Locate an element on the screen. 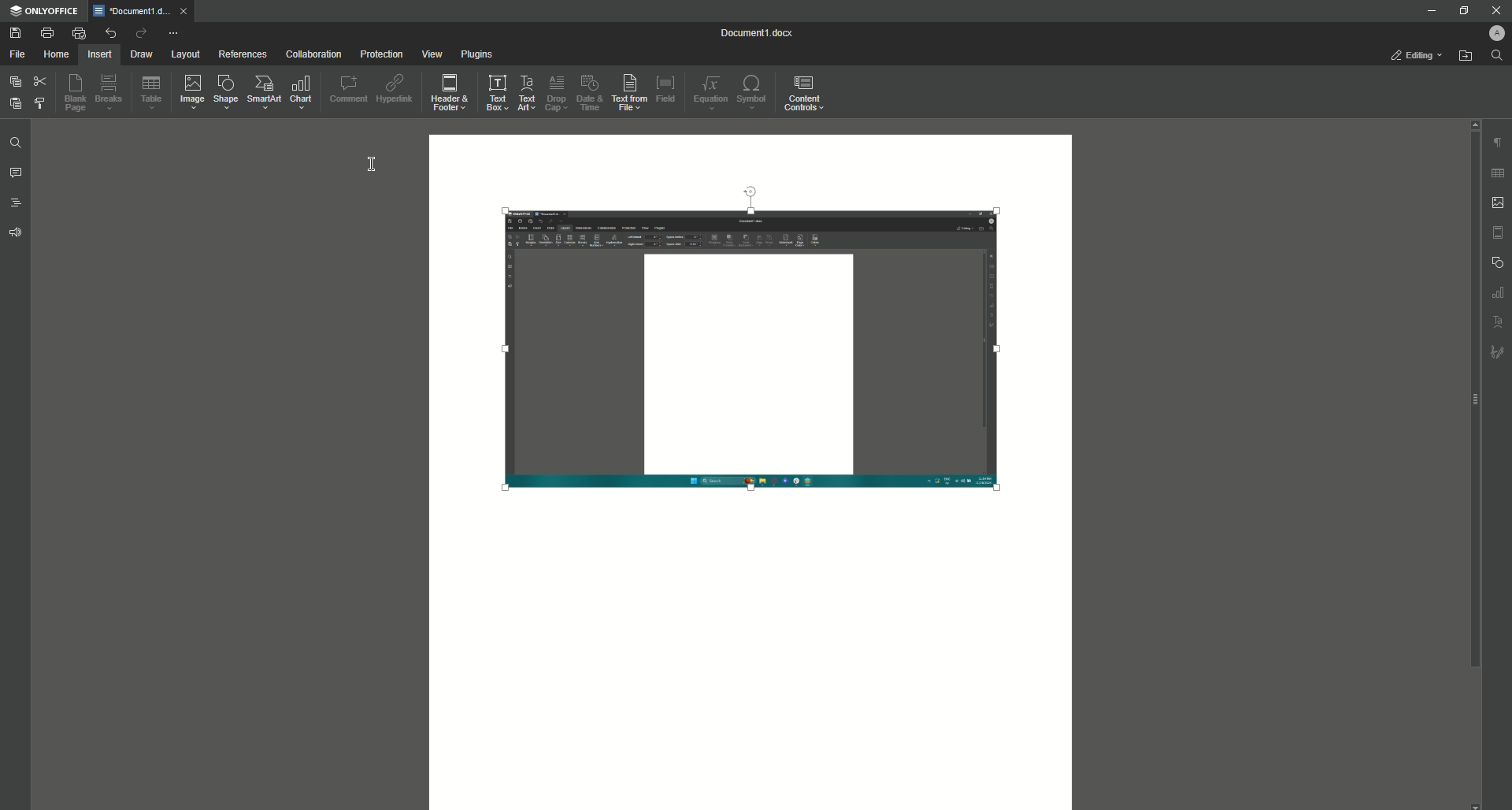 The image size is (1512, 810). Tab 1 is located at coordinates (132, 12).